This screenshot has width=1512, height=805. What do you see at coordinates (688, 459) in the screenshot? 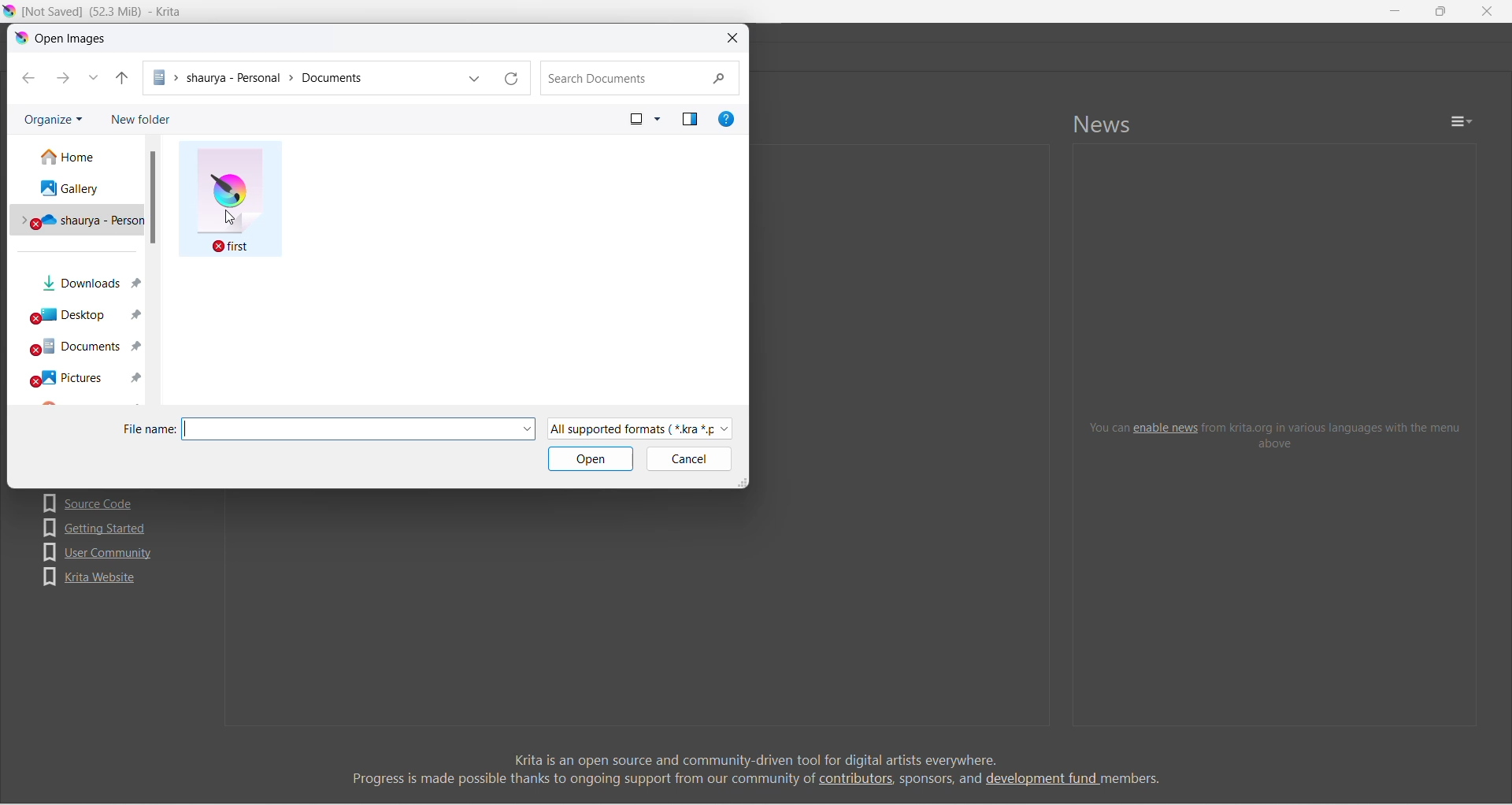
I see `cancel` at bounding box center [688, 459].